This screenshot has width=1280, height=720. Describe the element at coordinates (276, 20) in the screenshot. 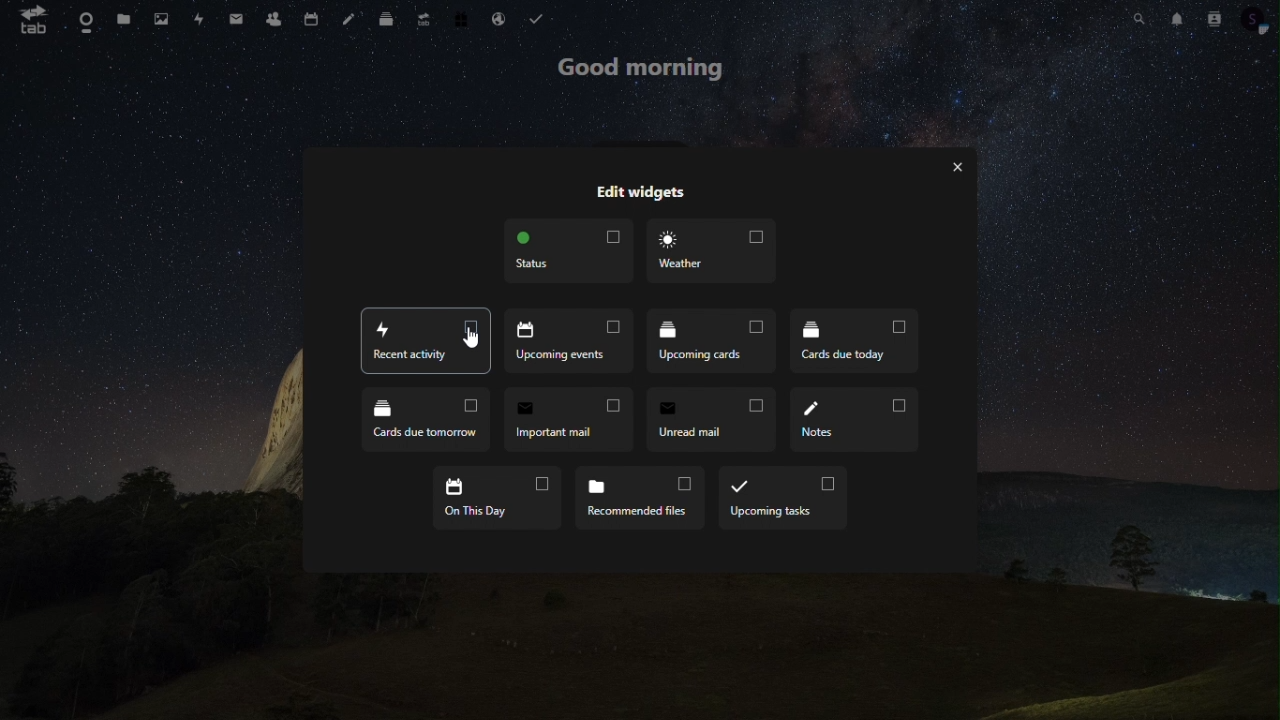

I see `contacts` at that location.